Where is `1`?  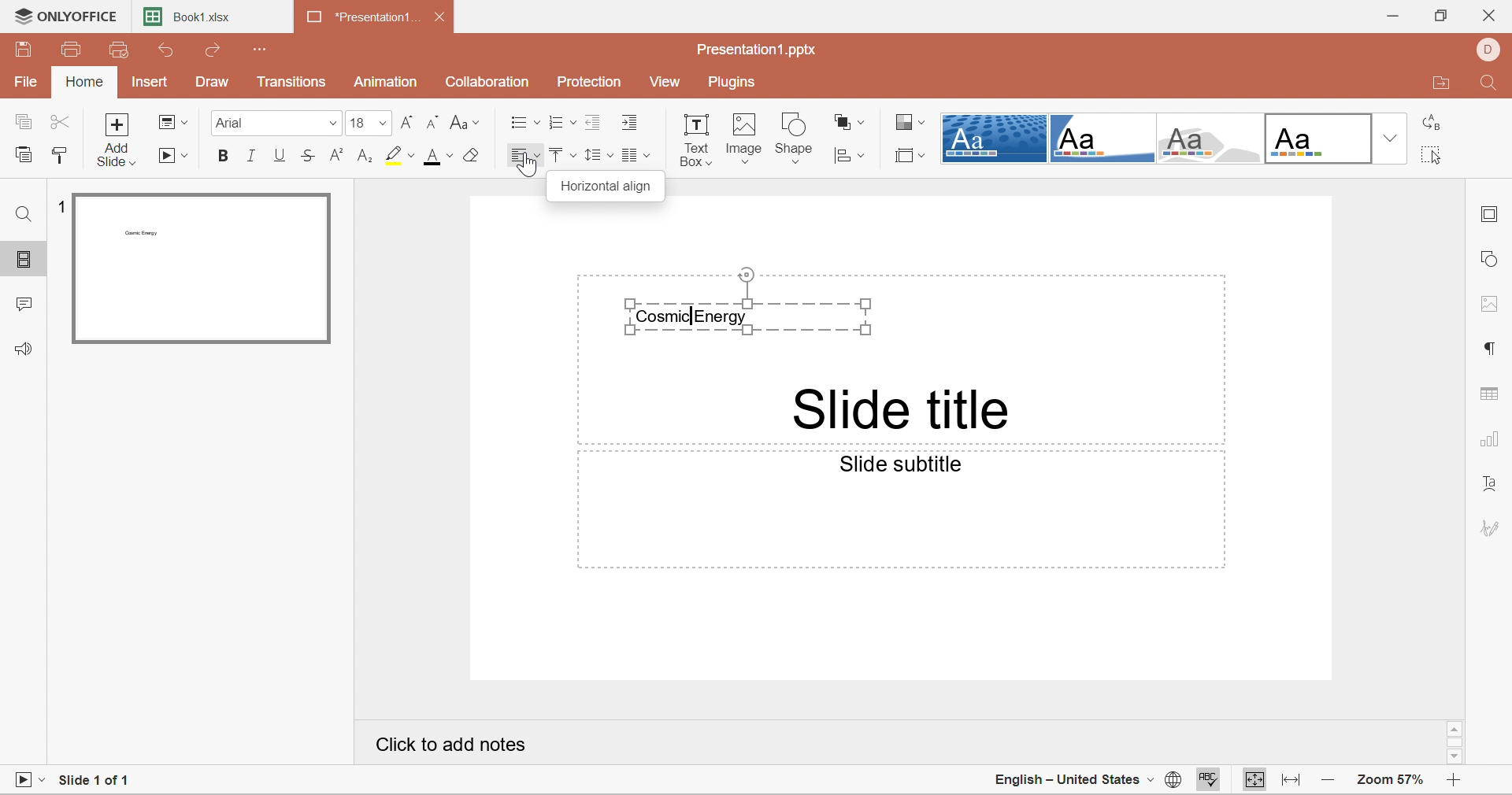 1 is located at coordinates (64, 205).